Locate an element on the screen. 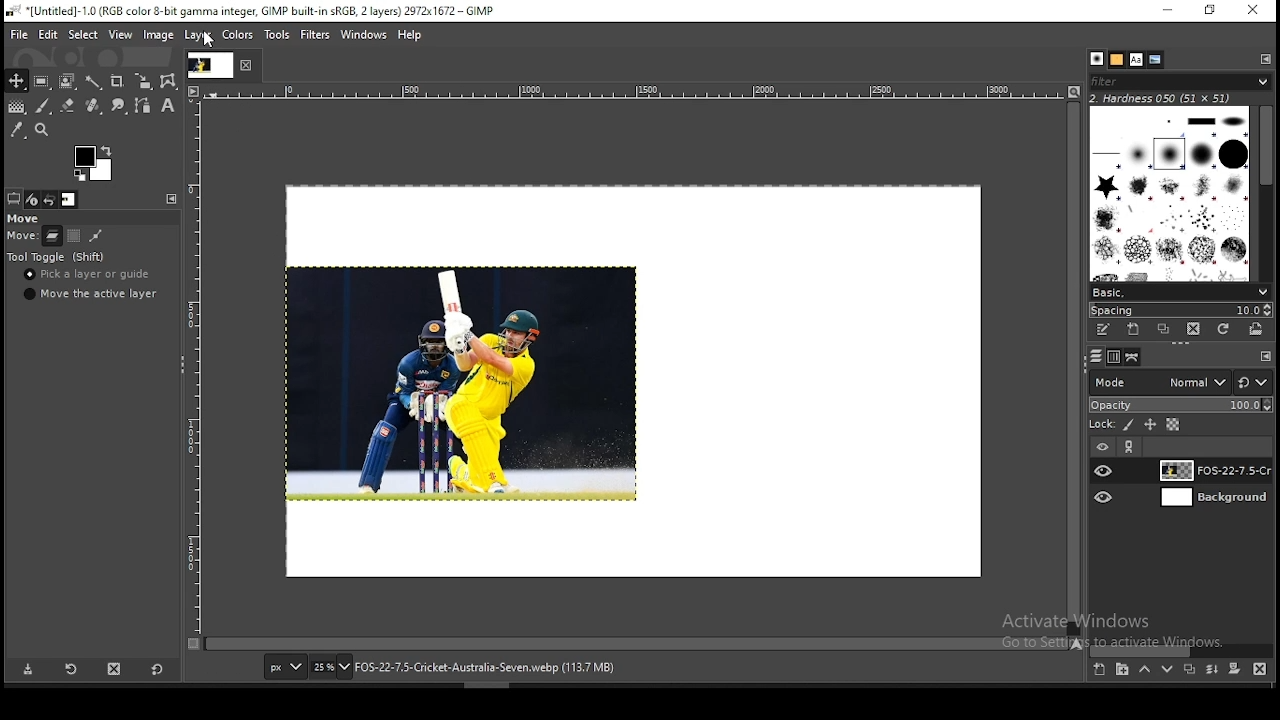 The image size is (1280, 720). layers is located at coordinates (1094, 357).